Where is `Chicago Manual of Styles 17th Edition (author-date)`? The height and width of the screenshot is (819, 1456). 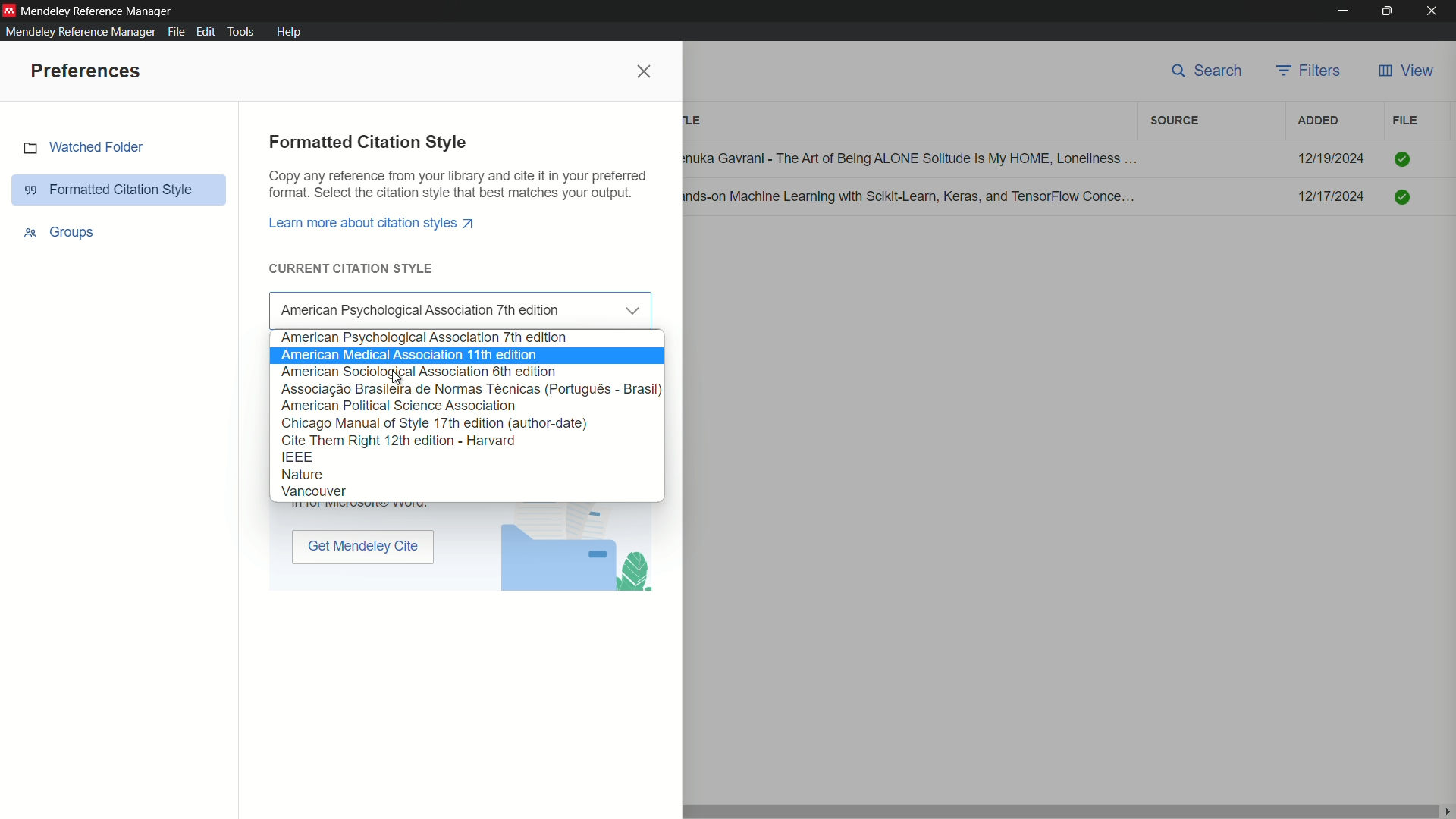 Chicago Manual of Styles 17th Edition (author-date) is located at coordinates (469, 422).